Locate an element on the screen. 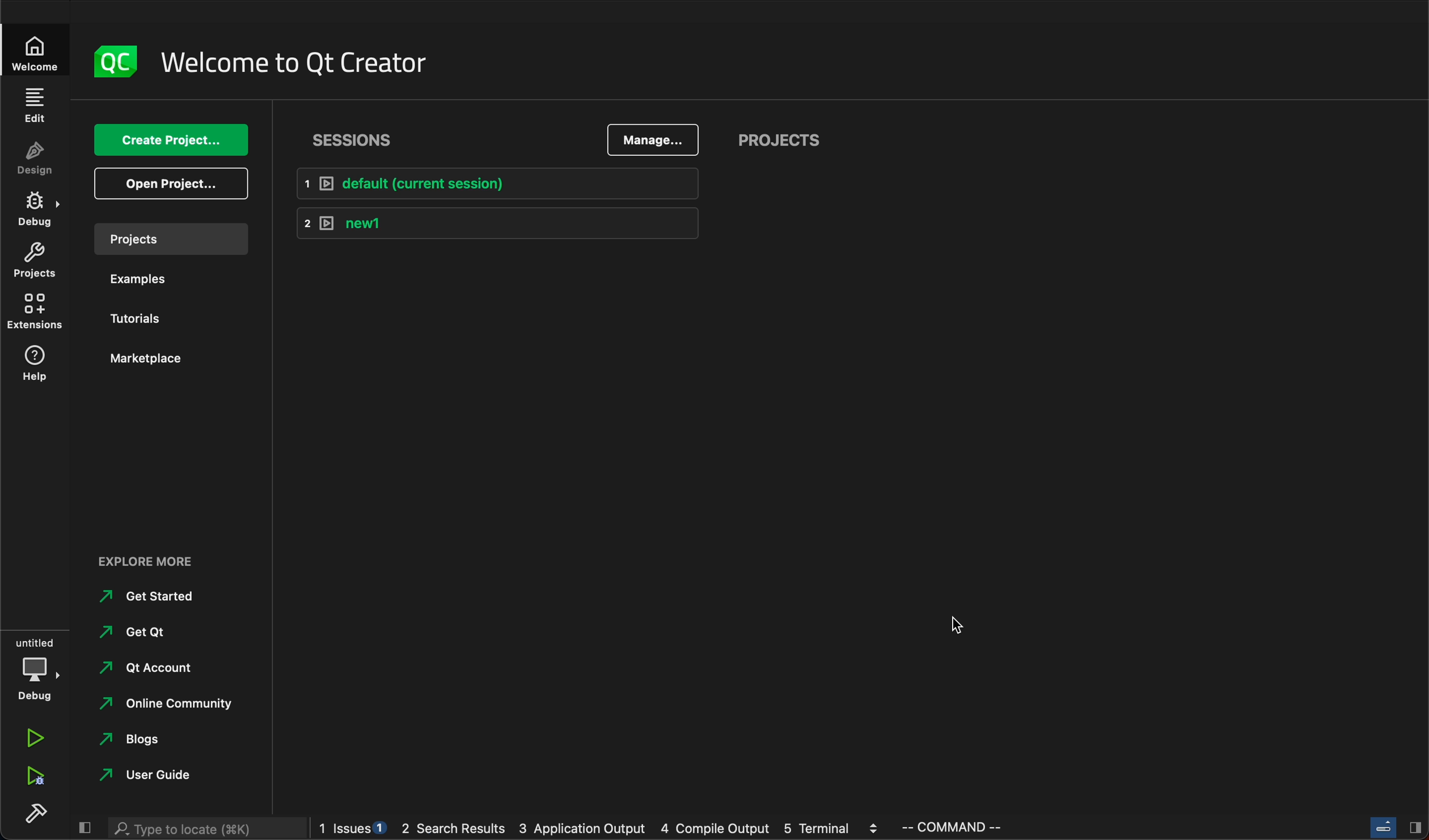 This screenshot has height=840, width=1429. new1 is located at coordinates (500, 222).